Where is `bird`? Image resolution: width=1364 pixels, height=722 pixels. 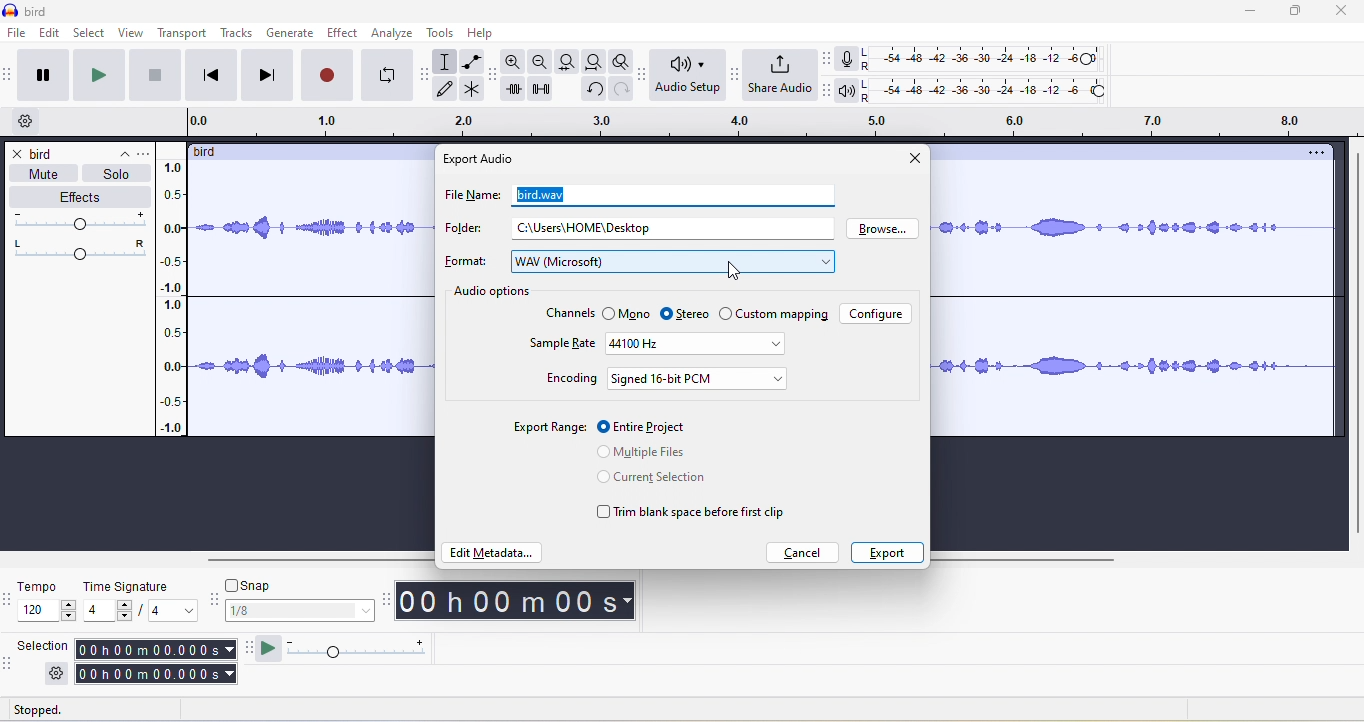 bird is located at coordinates (45, 154).